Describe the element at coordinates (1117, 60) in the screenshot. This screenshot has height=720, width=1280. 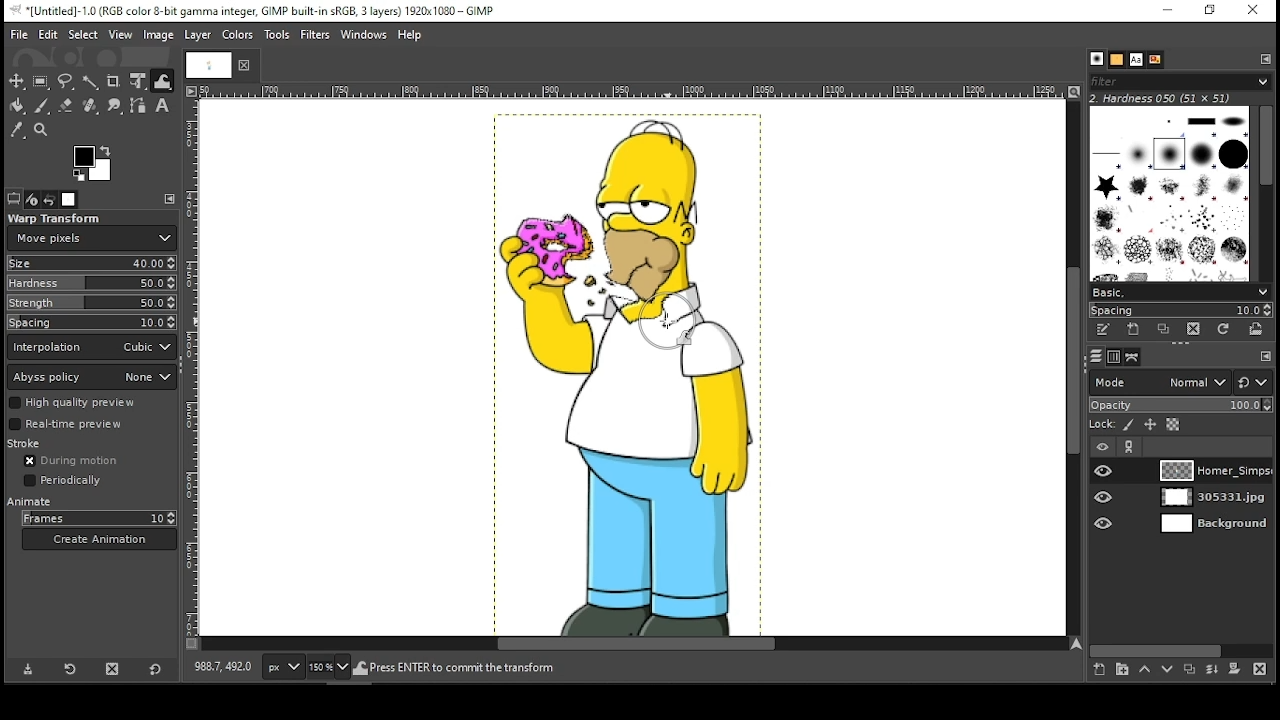
I see `patterns` at that location.